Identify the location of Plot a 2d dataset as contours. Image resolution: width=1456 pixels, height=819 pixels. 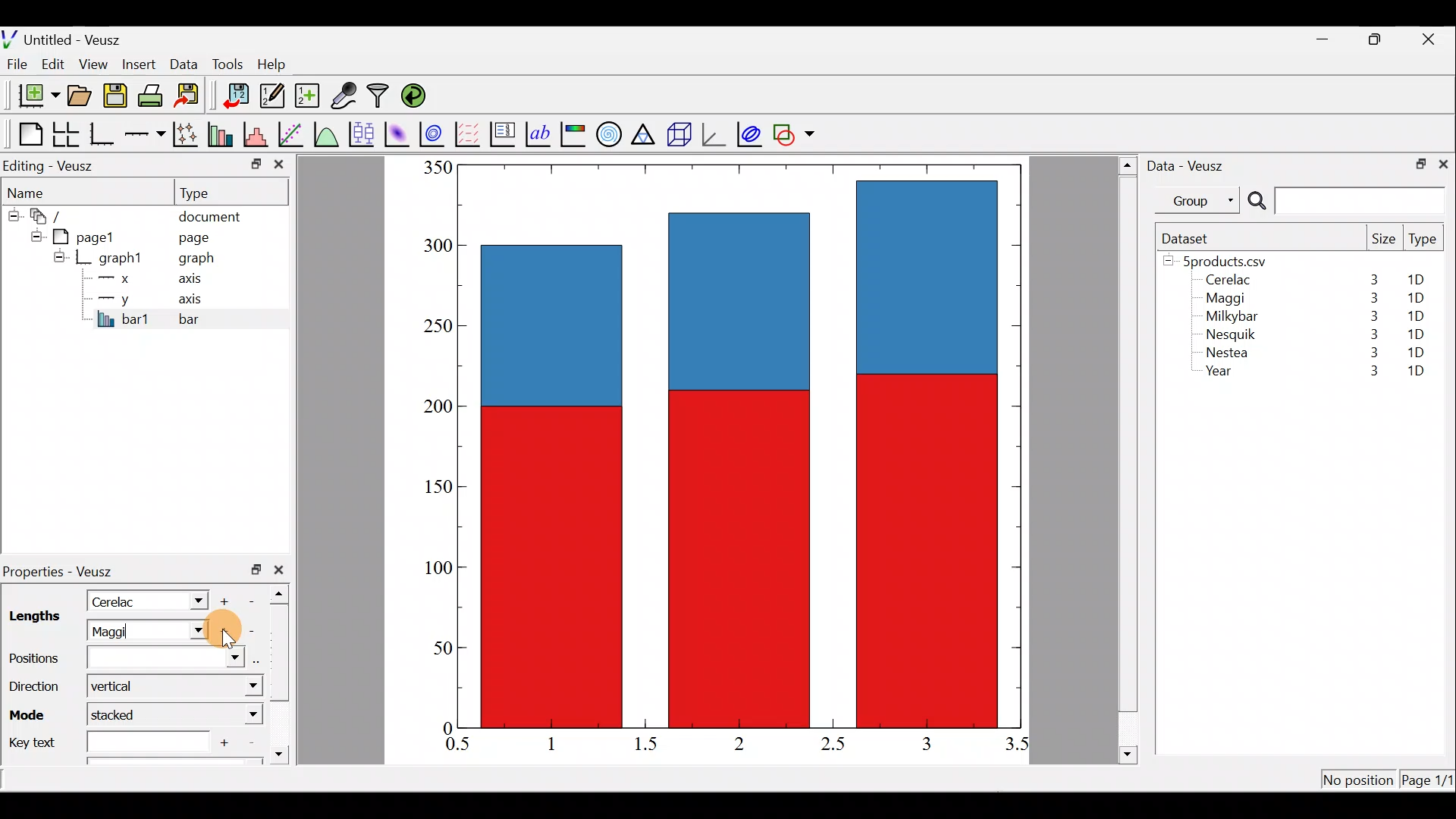
(435, 133).